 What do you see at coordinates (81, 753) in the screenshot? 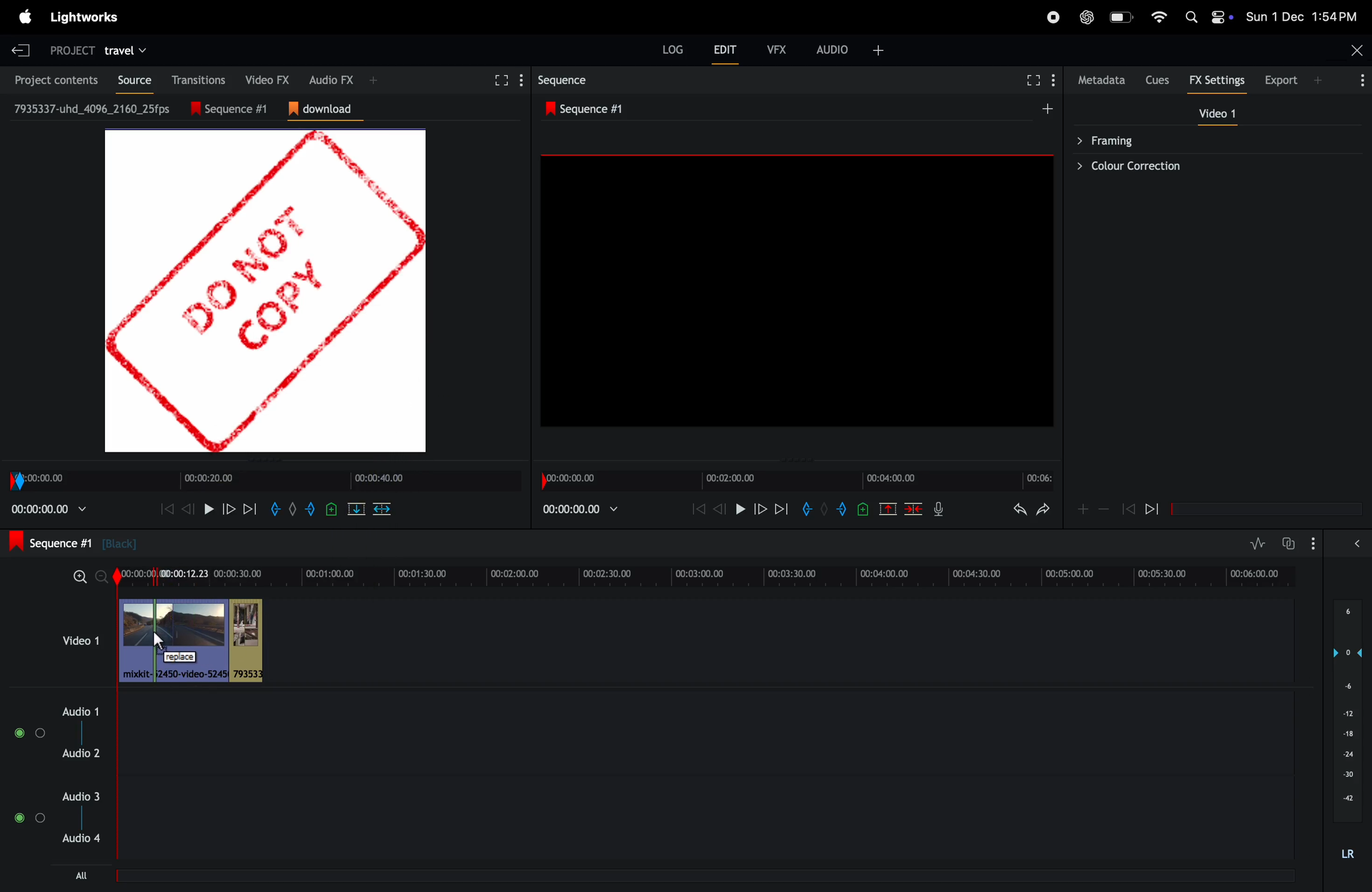
I see `audio 2` at bounding box center [81, 753].